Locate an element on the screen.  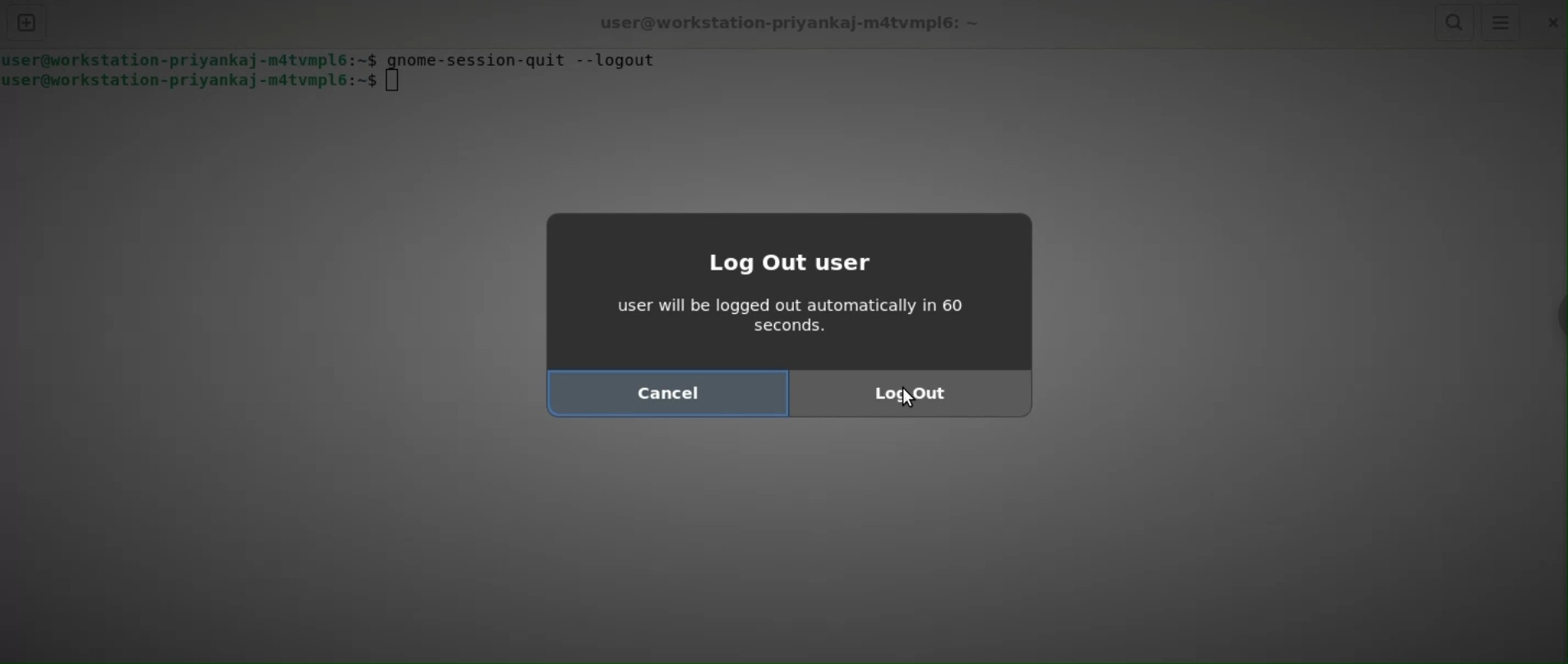
search is located at coordinates (1453, 23).